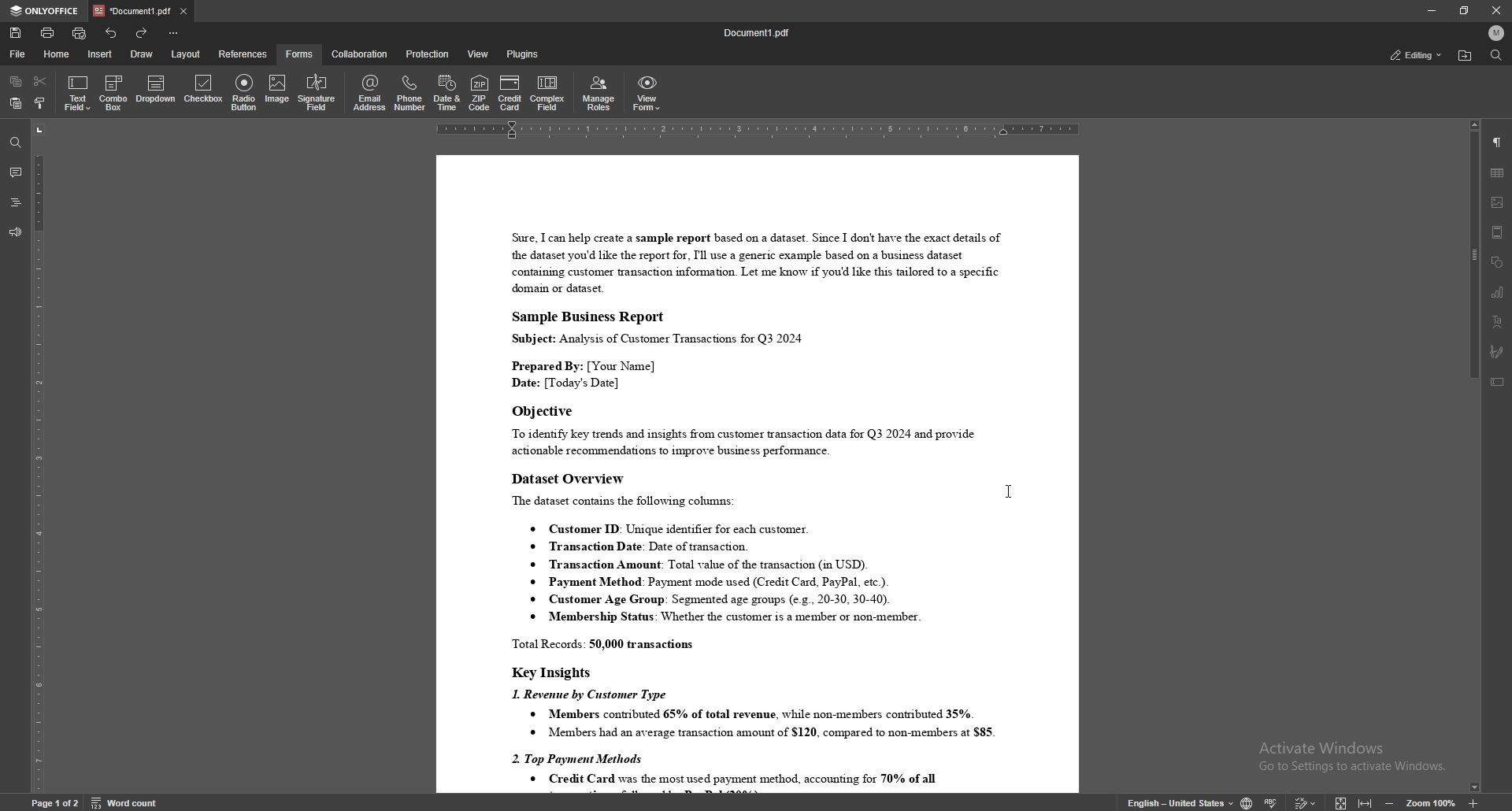 This screenshot has width=1512, height=811. What do you see at coordinates (1432, 802) in the screenshot?
I see `zoom` at bounding box center [1432, 802].